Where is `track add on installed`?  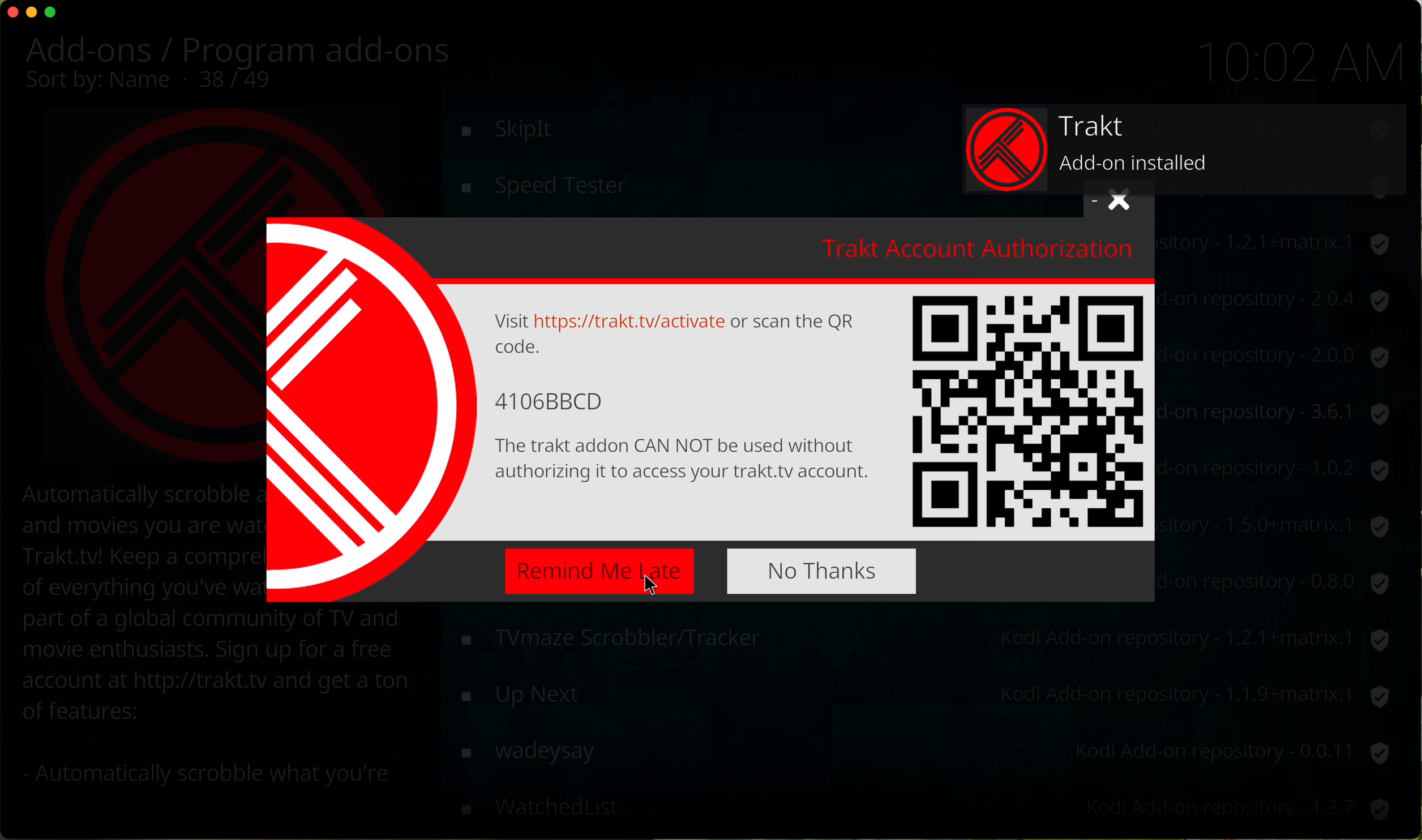 track add on installed is located at coordinates (1188, 144).